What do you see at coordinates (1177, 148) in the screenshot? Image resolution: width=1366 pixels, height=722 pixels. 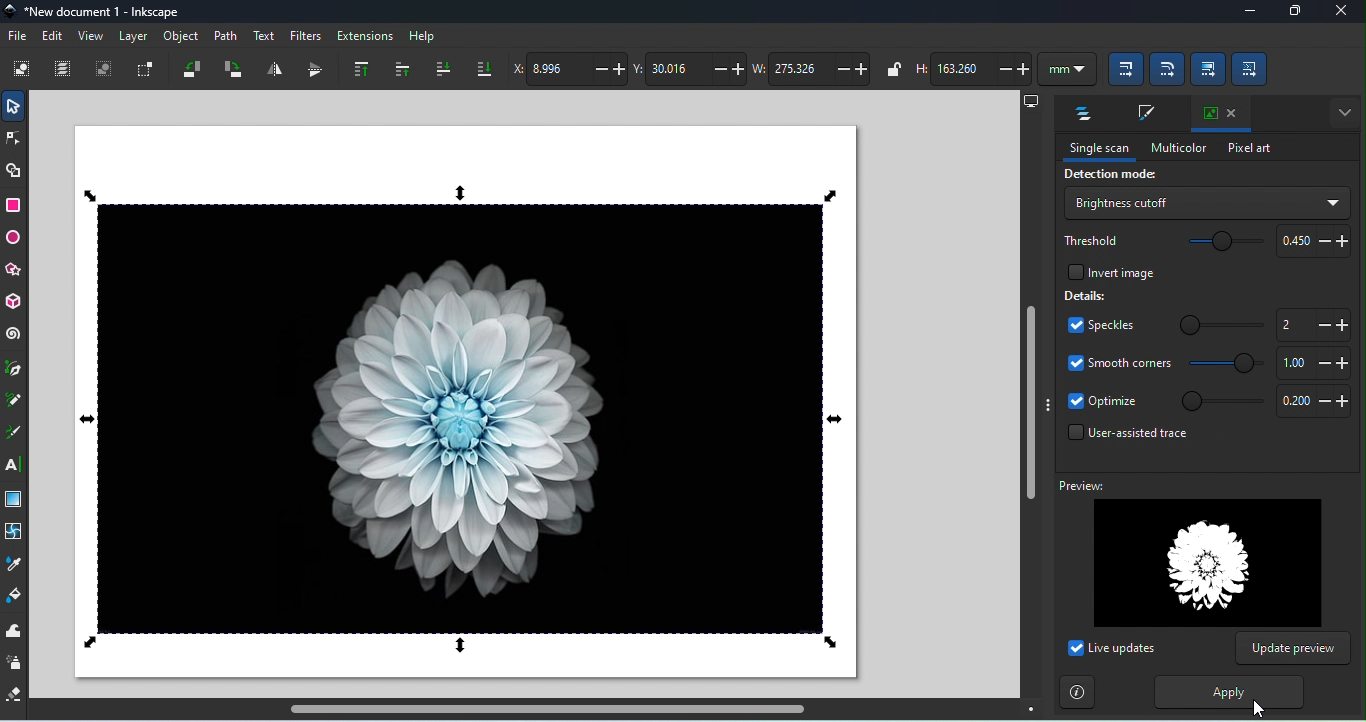 I see `Multi color` at bounding box center [1177, 148].